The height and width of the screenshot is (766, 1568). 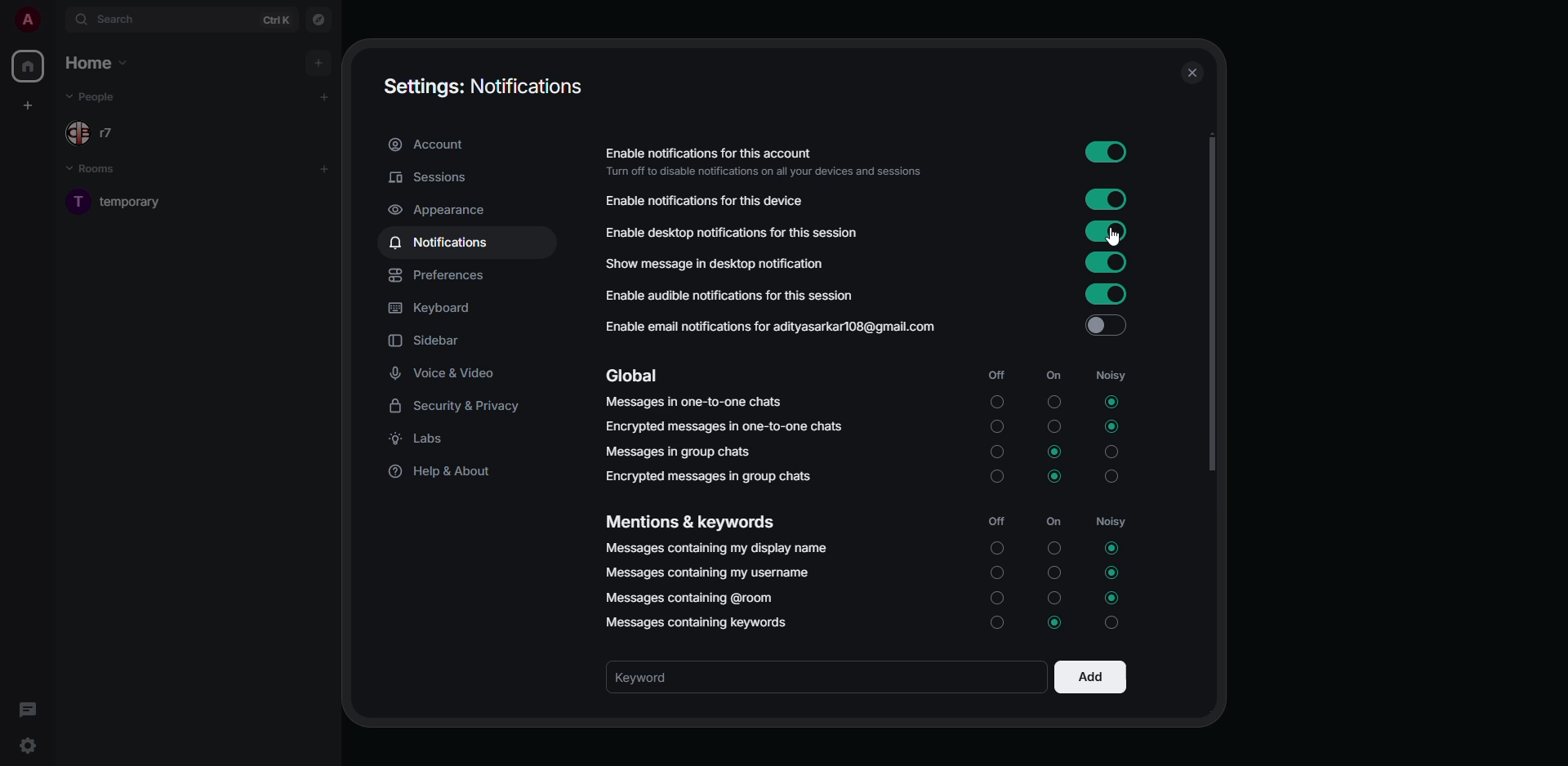 I want to click on turn off, so click(x=1057, y=597).